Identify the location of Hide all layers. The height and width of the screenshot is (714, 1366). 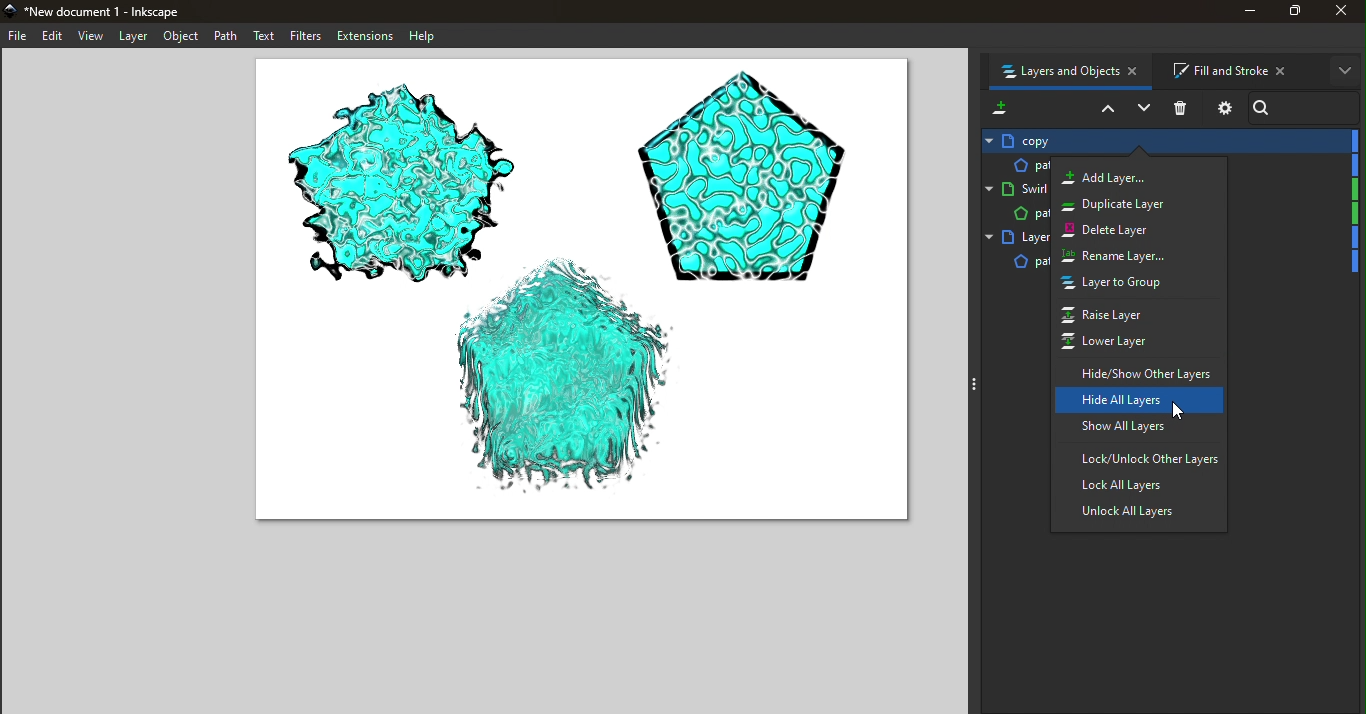
(1141, 401).